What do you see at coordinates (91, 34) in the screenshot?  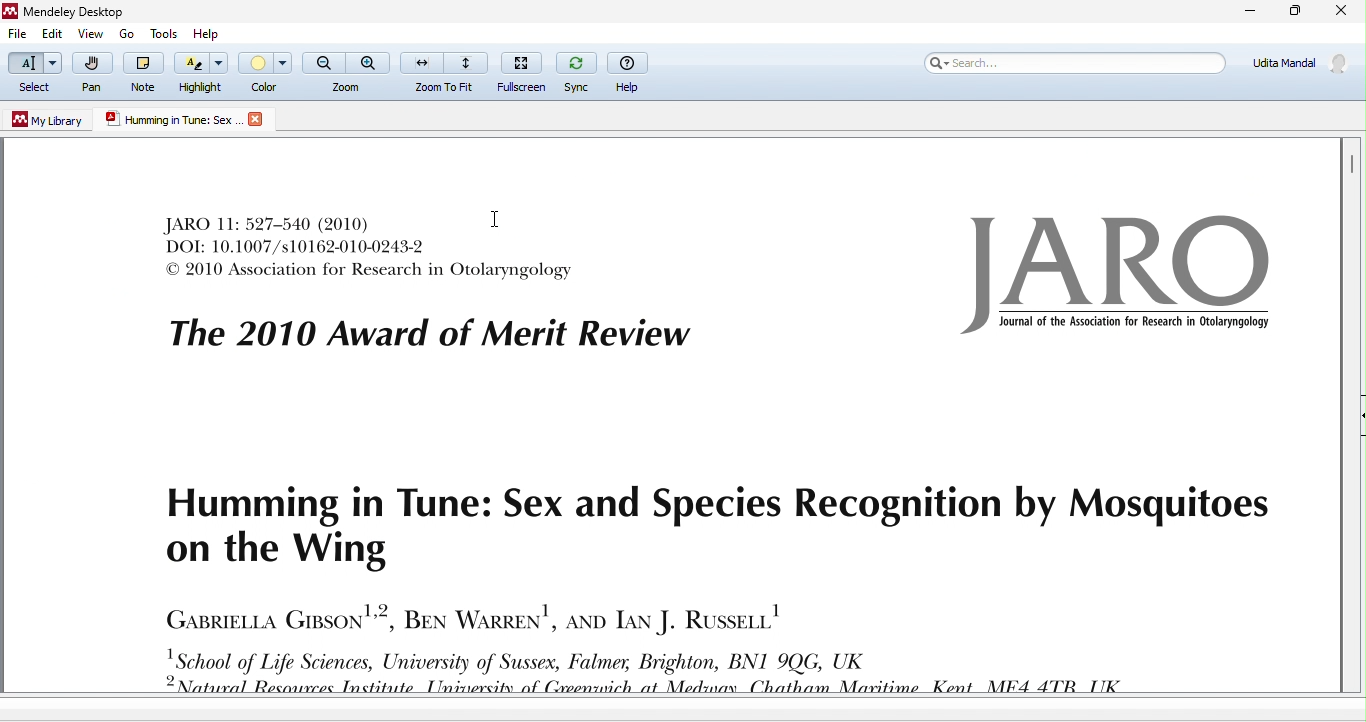 I see `view` at bounding box center [91, 34].